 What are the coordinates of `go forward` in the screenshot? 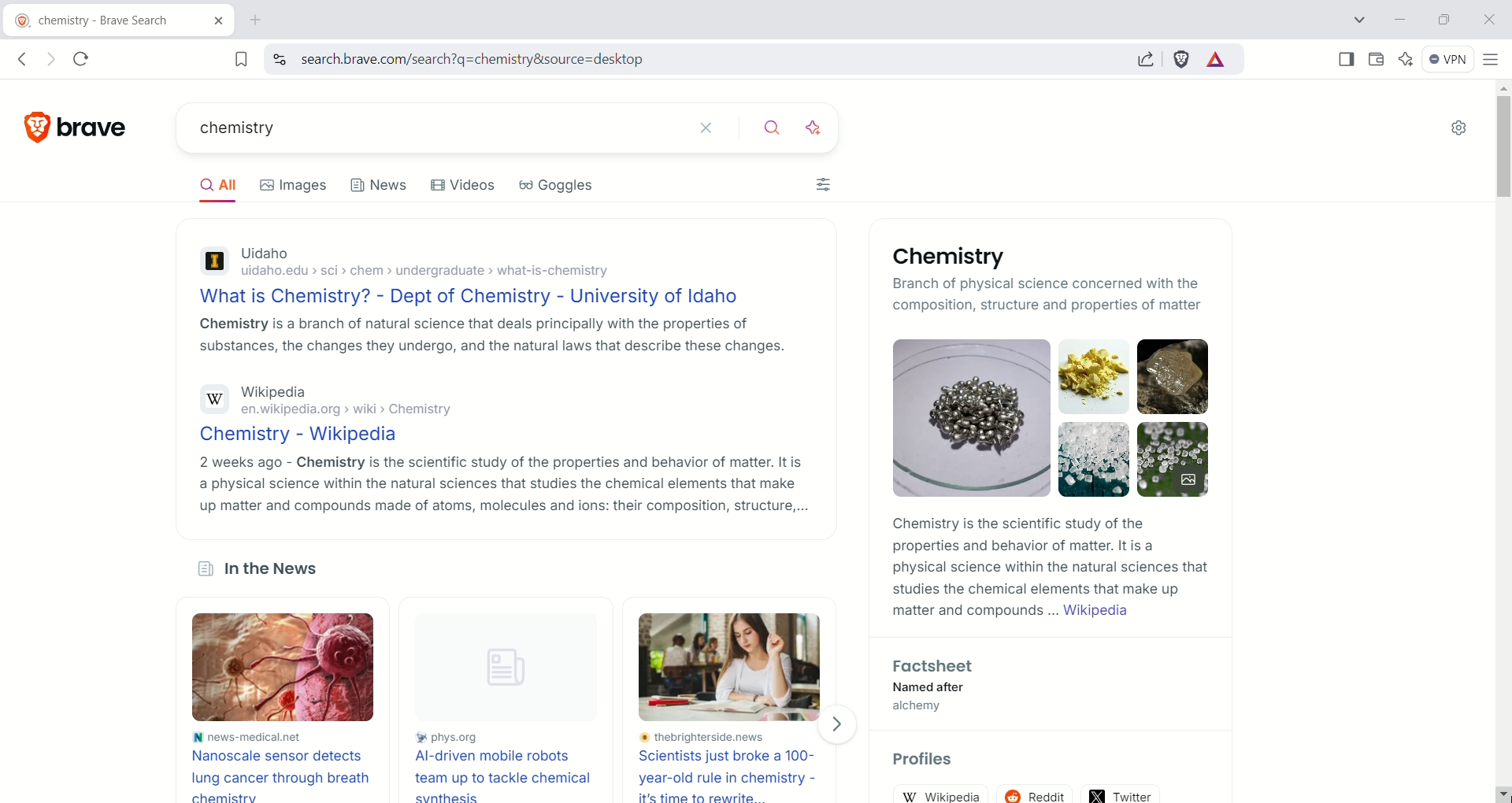 It's located at (48, 60).